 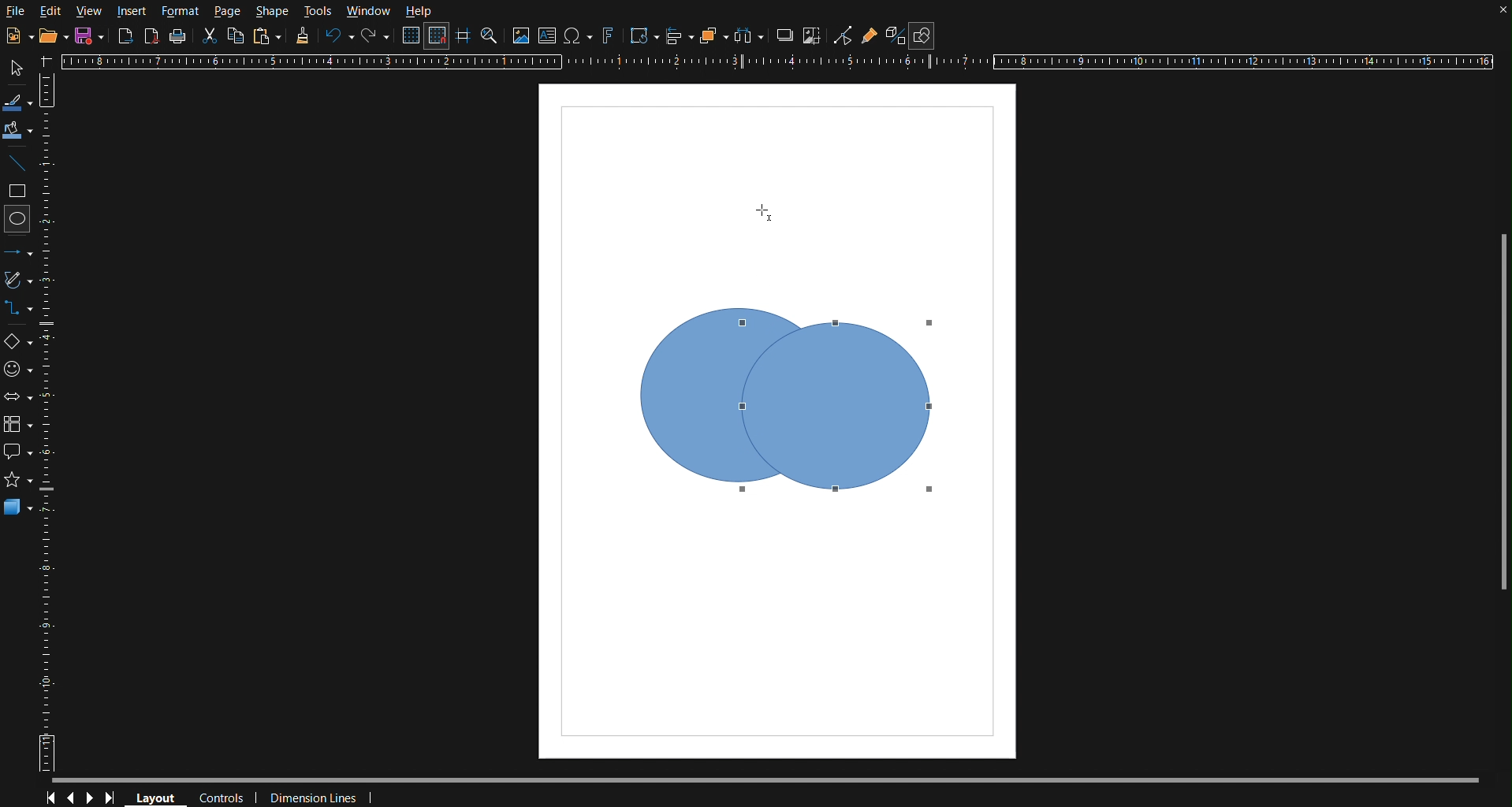 What do you see at coordinates (410, 36) in the screenshot?
I see `Display Grid` at bounding box center [410, 36].